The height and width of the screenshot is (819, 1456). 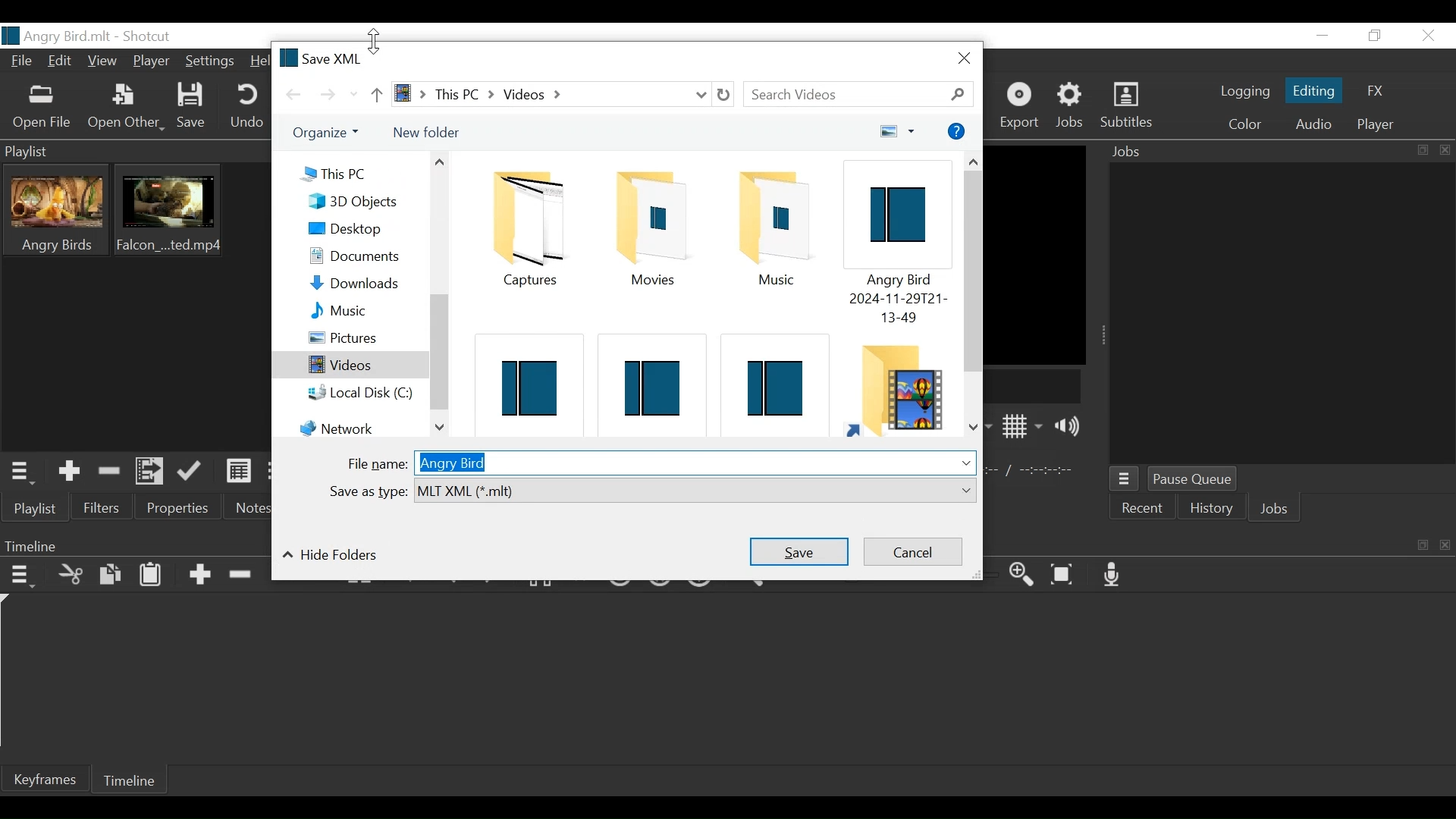 What do you see at coordinates (893, 246) in the screenshot?
I see `Shotcut File` at bounding box center [893, 246].